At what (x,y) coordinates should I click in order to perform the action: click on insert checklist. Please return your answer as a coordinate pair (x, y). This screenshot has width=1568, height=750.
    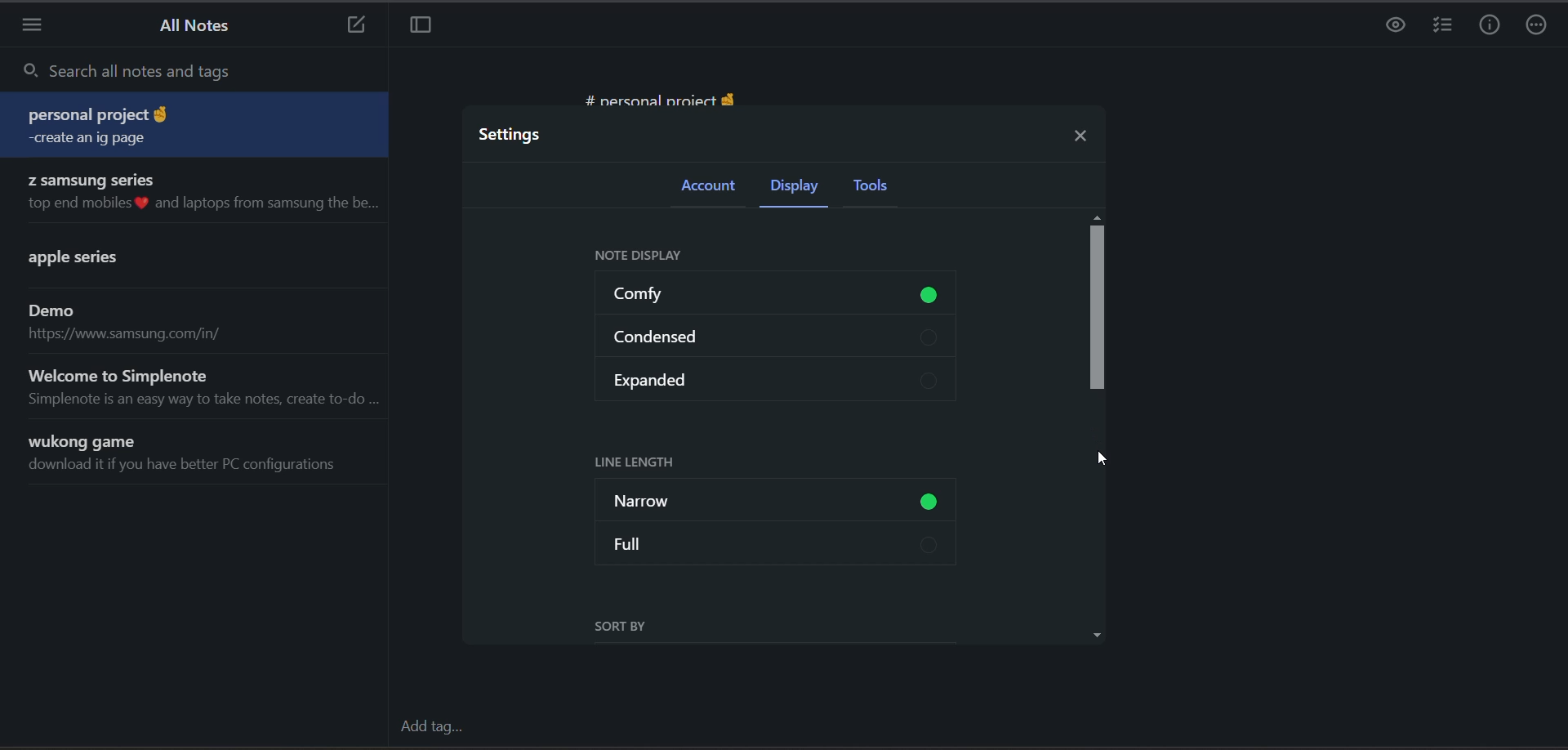
    Looking at the image, I should click on (1443, 26).